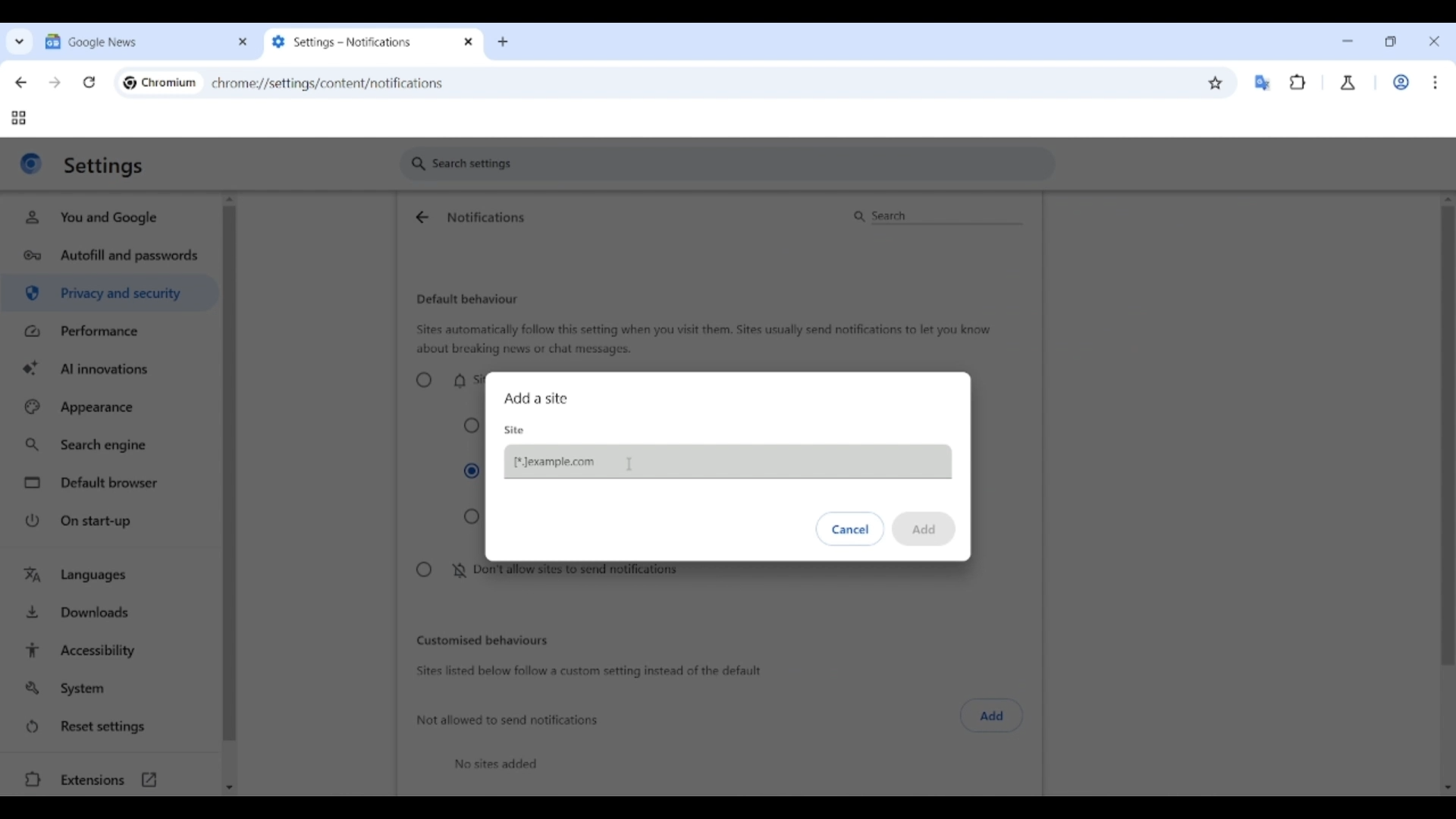 Image resolution: width=1456 pixels, height=819 pixels. I want to click on Logo of current site, so click(31, 163).